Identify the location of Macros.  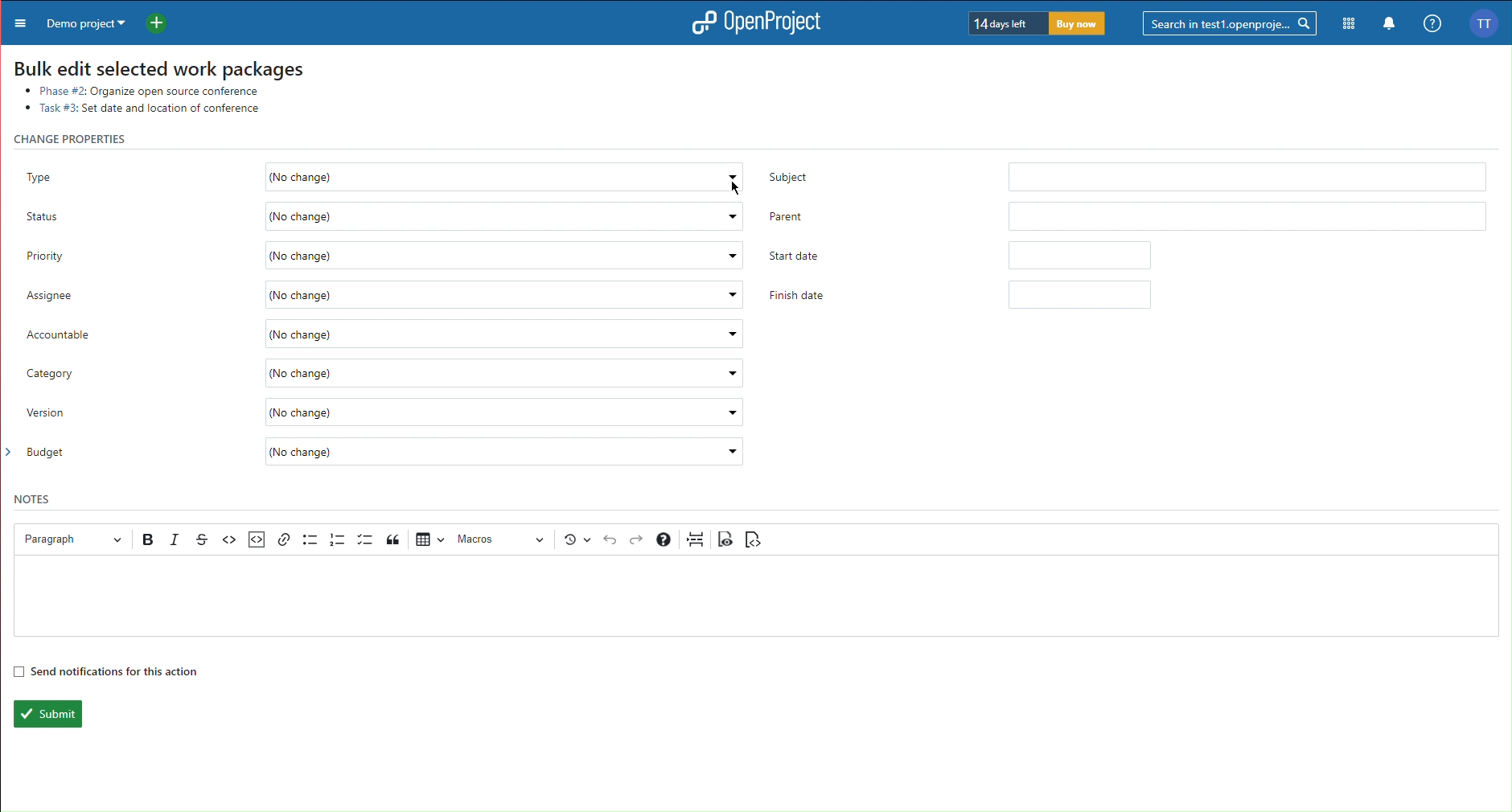
(503, 539).